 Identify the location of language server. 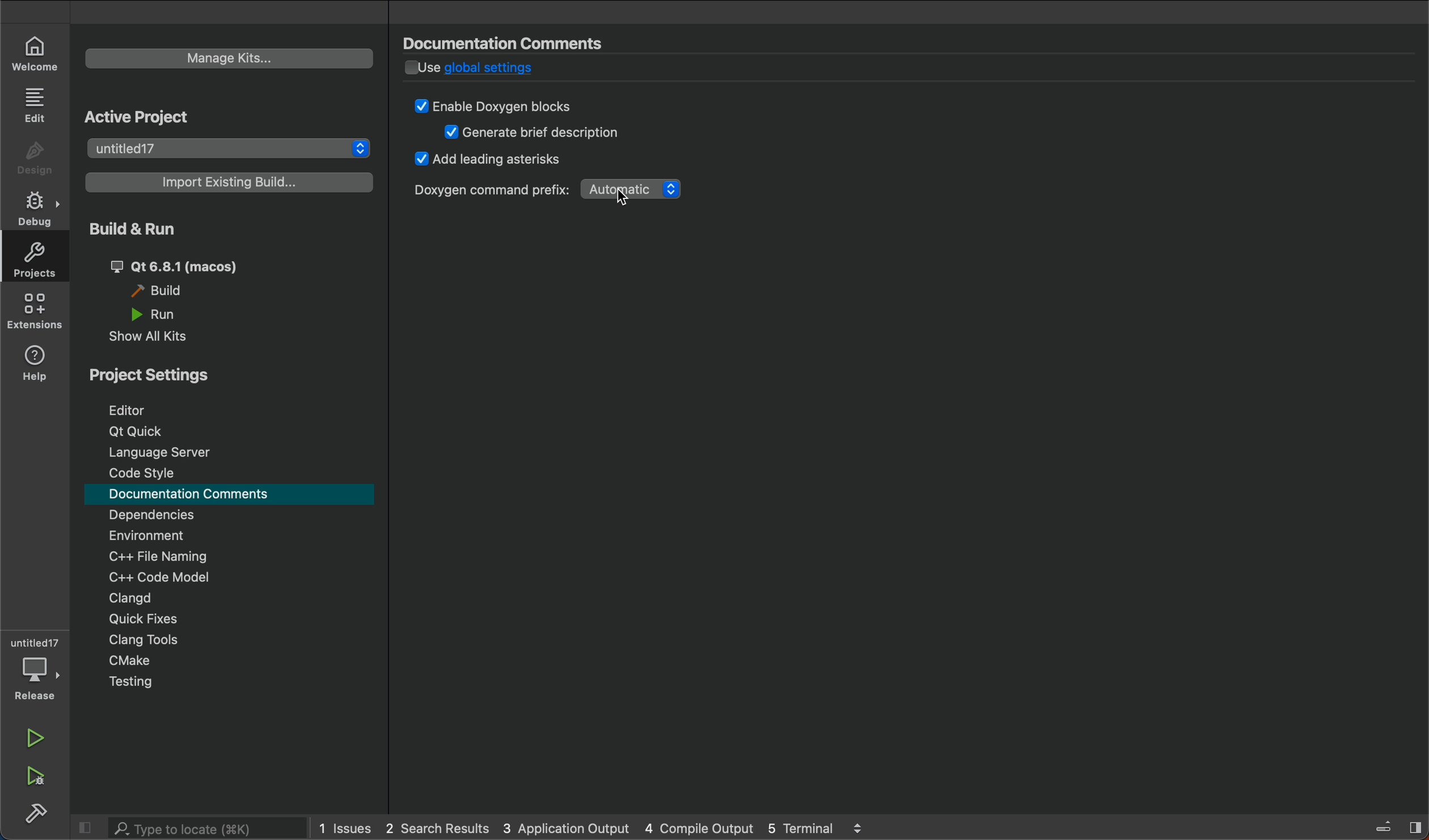
(158, 453).